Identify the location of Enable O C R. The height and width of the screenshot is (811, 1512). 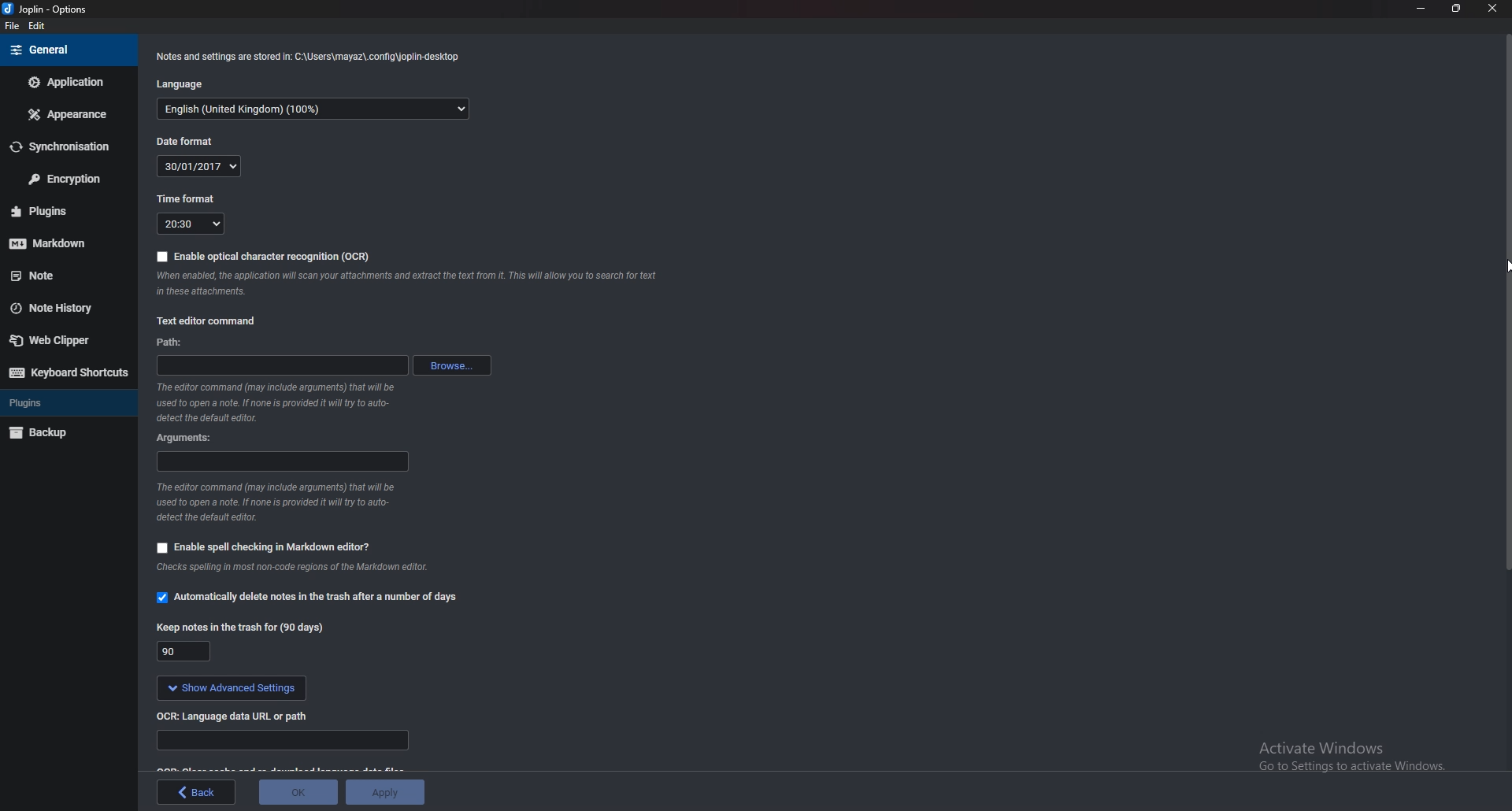
(261, 257).